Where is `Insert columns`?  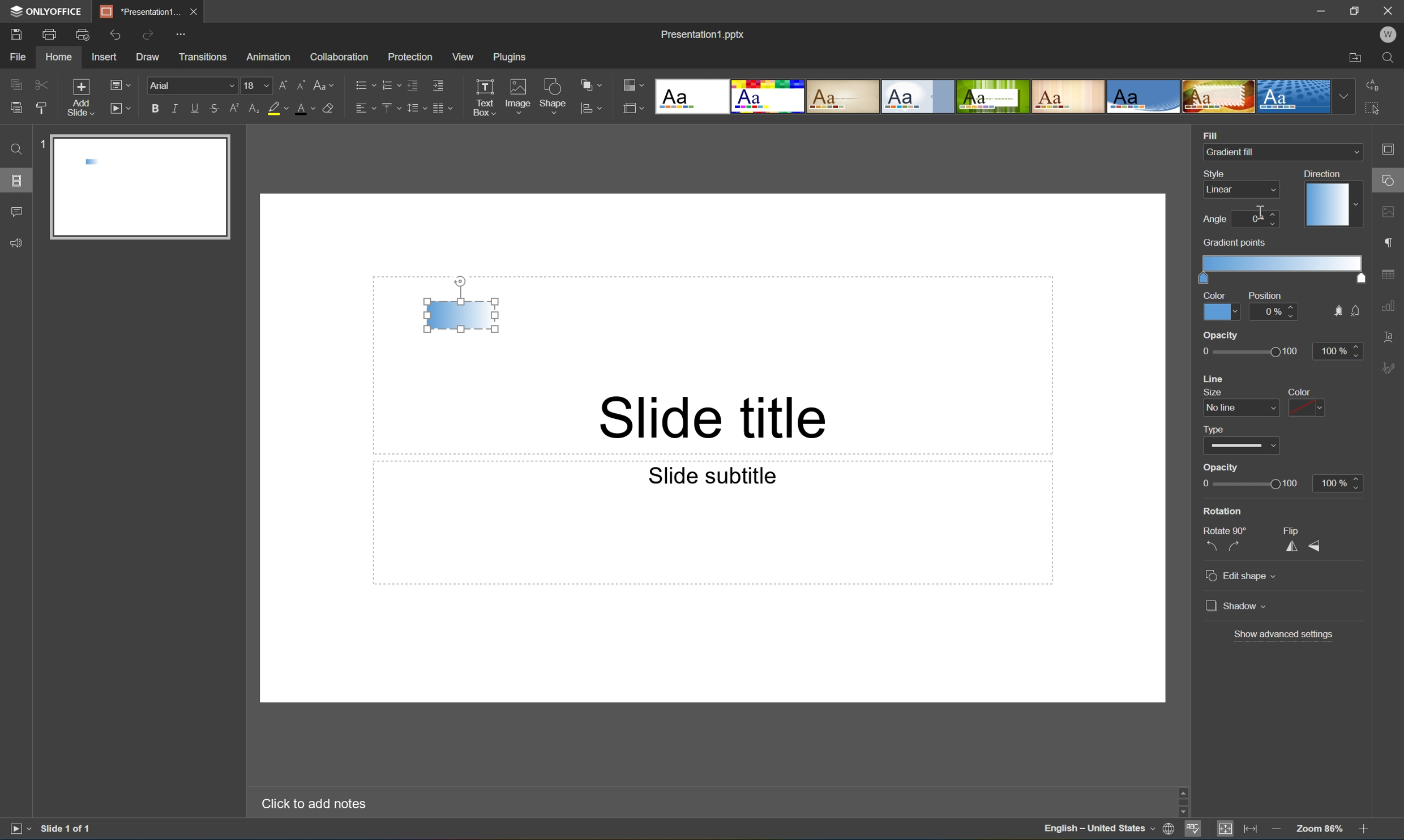
Insert columns is located at coordinates (442, 108).